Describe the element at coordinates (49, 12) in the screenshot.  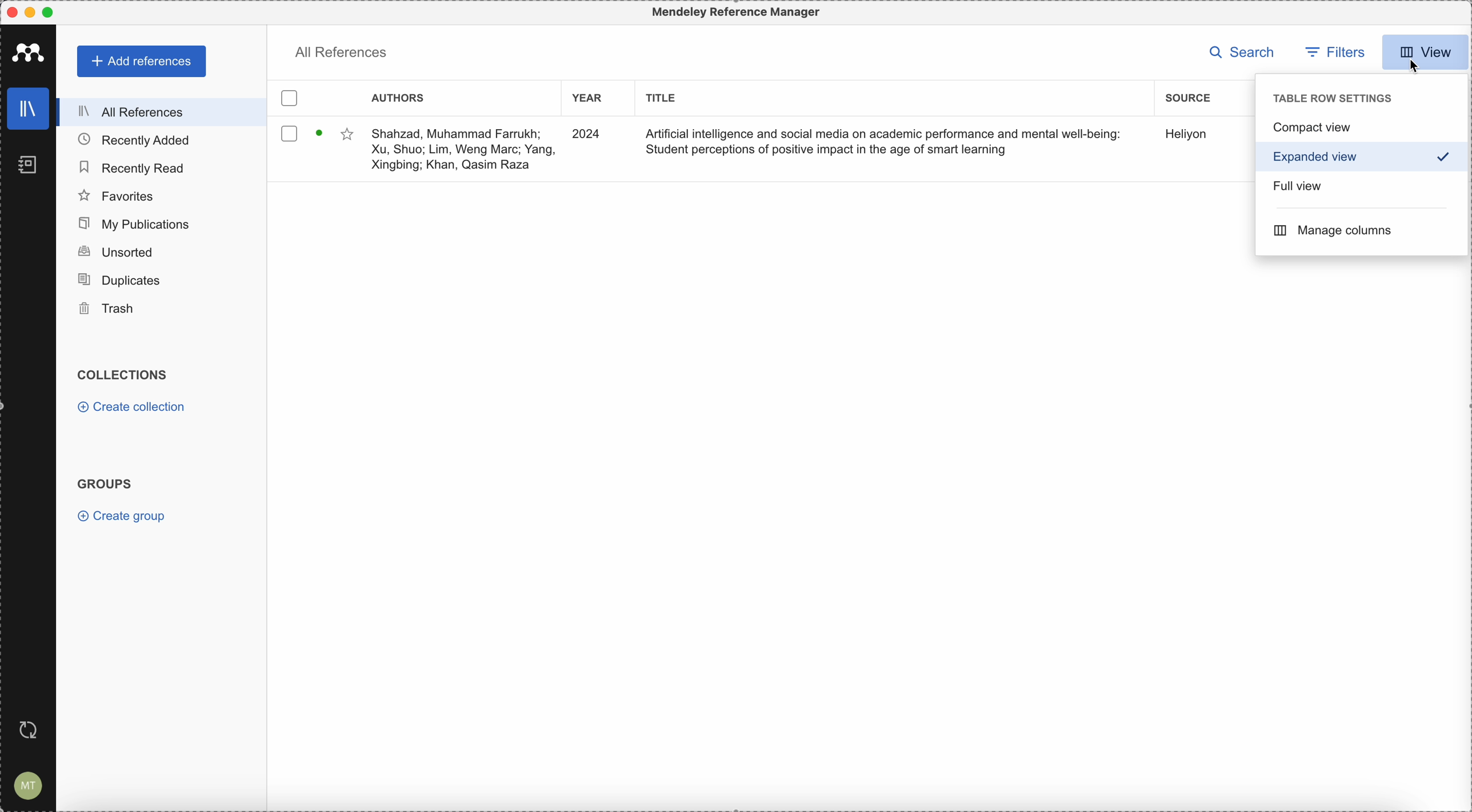
I see `maximize` at that location.